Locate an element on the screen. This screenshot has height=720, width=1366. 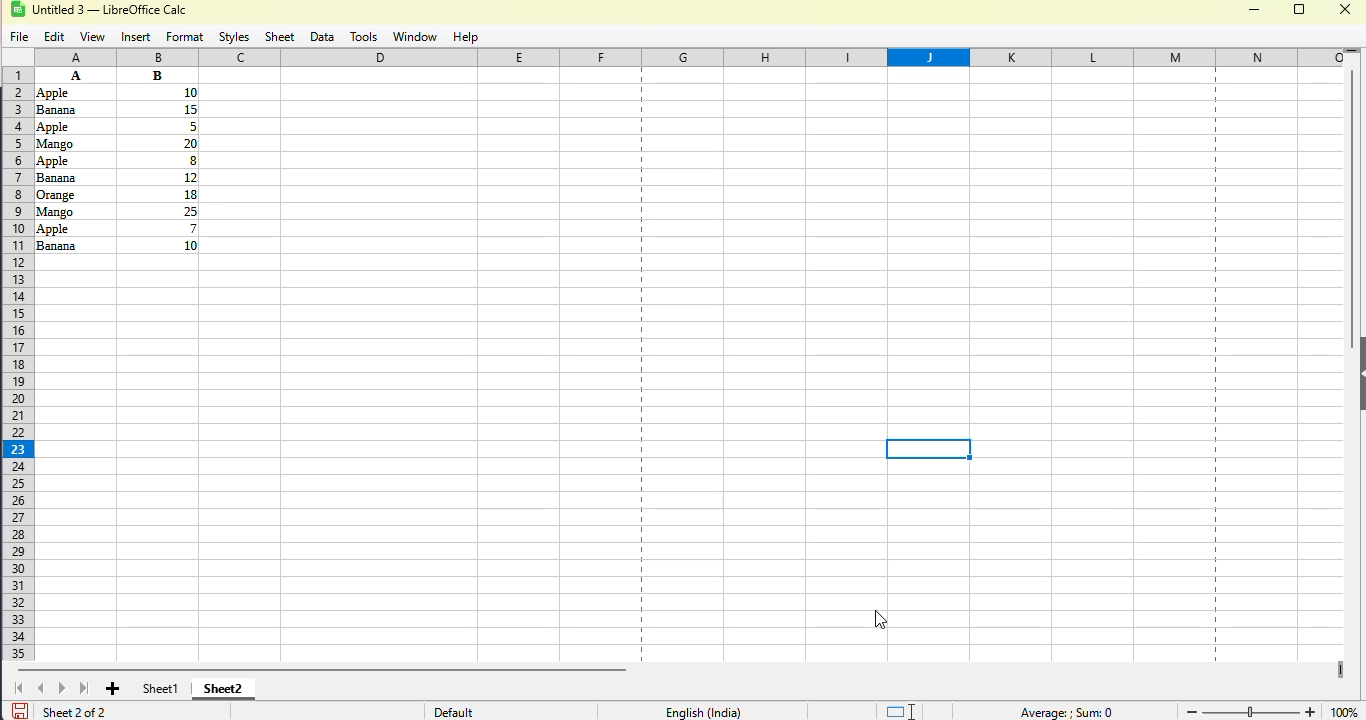
maximize is located at coordinates (1301, 9).